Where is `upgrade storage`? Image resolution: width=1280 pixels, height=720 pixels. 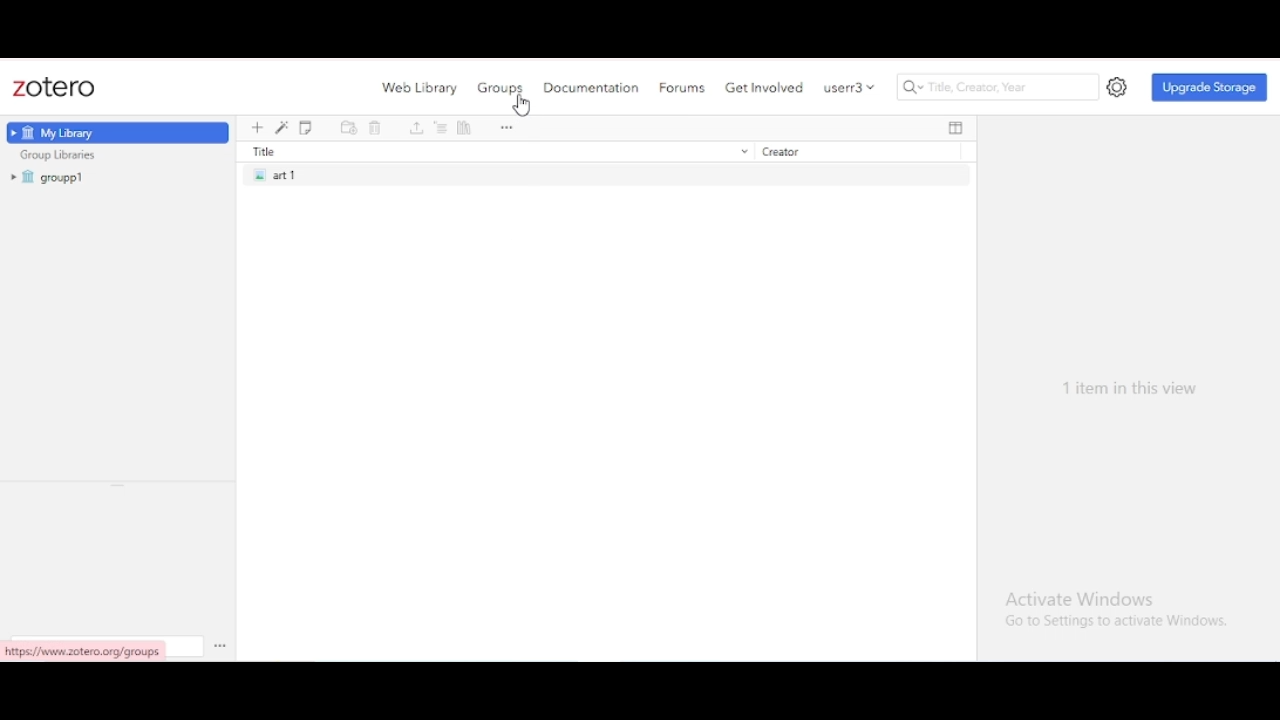 upgrade storage is located at coordinates (1210, 87).